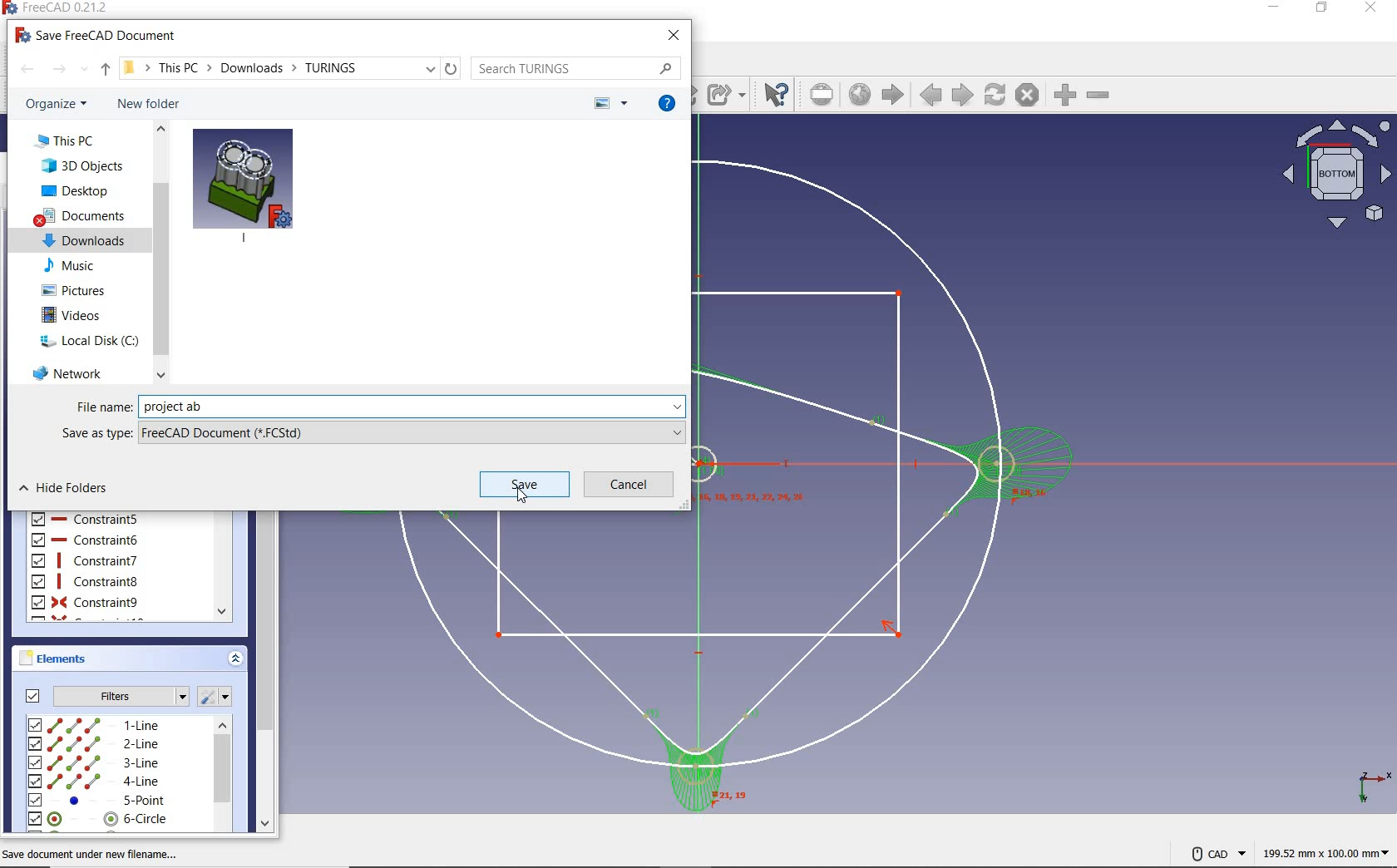 The height and width of the screenshot is (868, 1397). Describe the element at coordinates (243, 184) in the screenshot. I see `dowloaded image` at that location.